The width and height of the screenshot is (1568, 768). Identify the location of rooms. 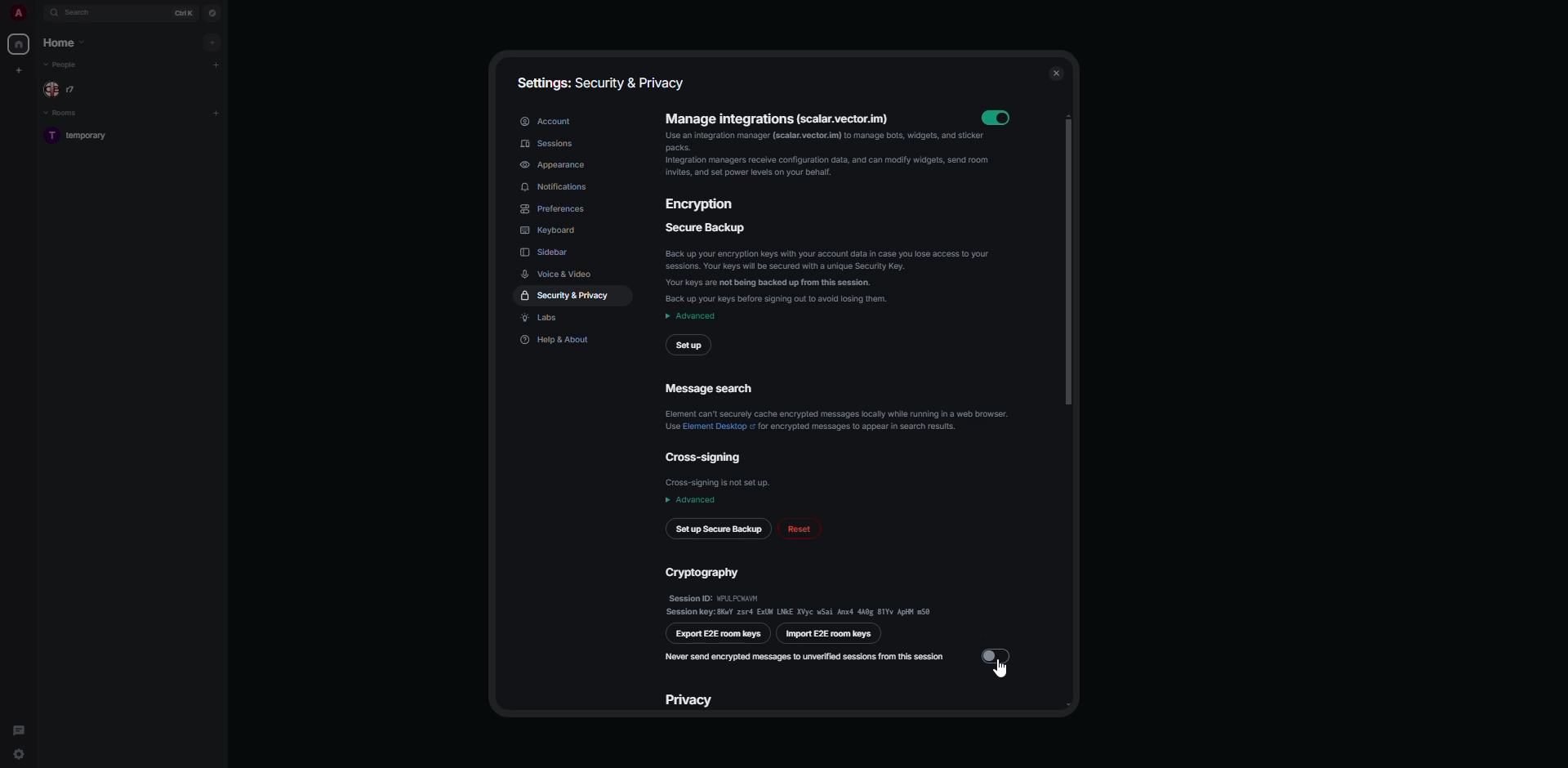
(64, 113).